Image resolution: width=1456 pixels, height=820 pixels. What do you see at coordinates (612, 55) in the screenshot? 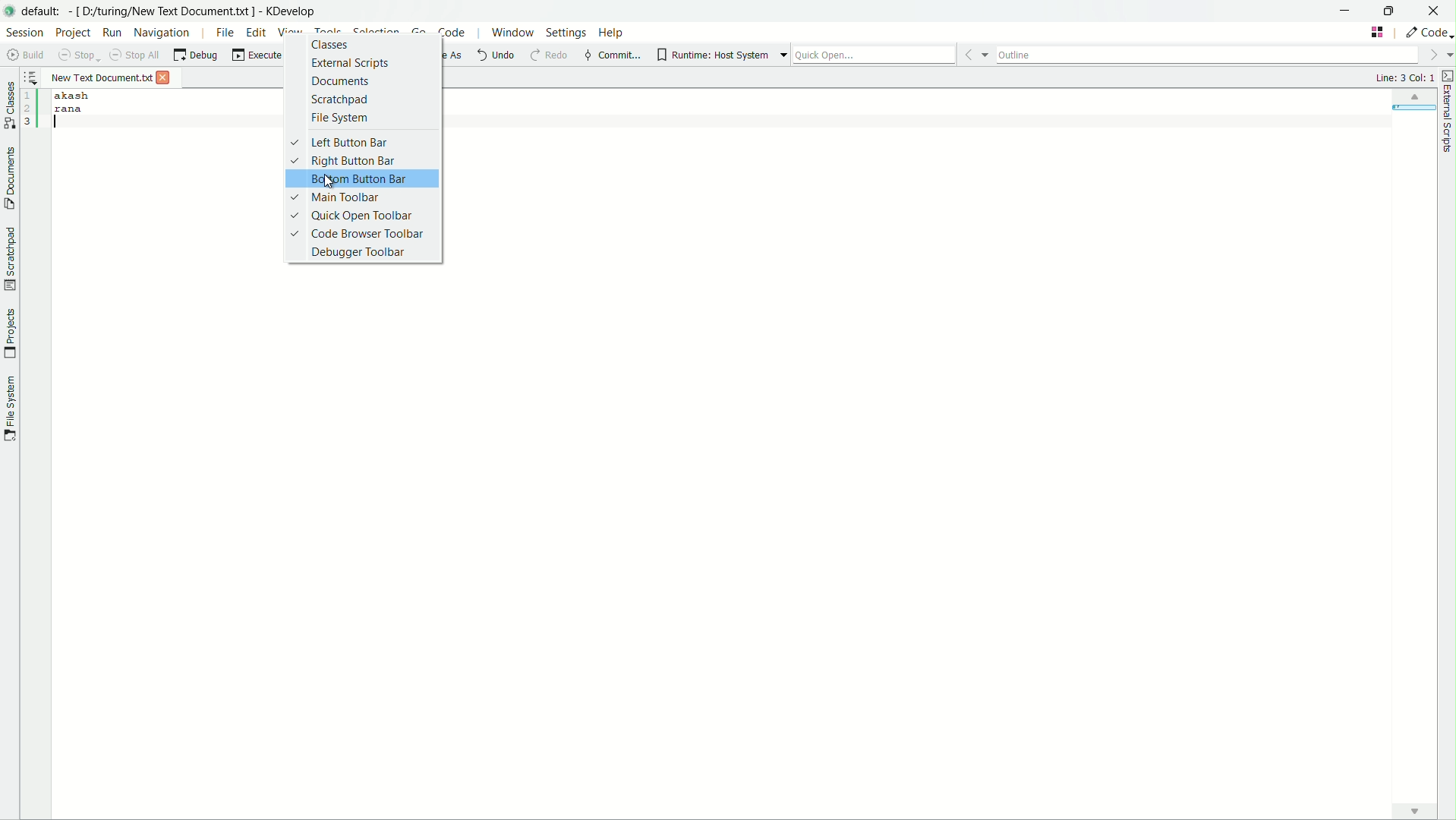
I see `commit` at bounding box center [612, 55].